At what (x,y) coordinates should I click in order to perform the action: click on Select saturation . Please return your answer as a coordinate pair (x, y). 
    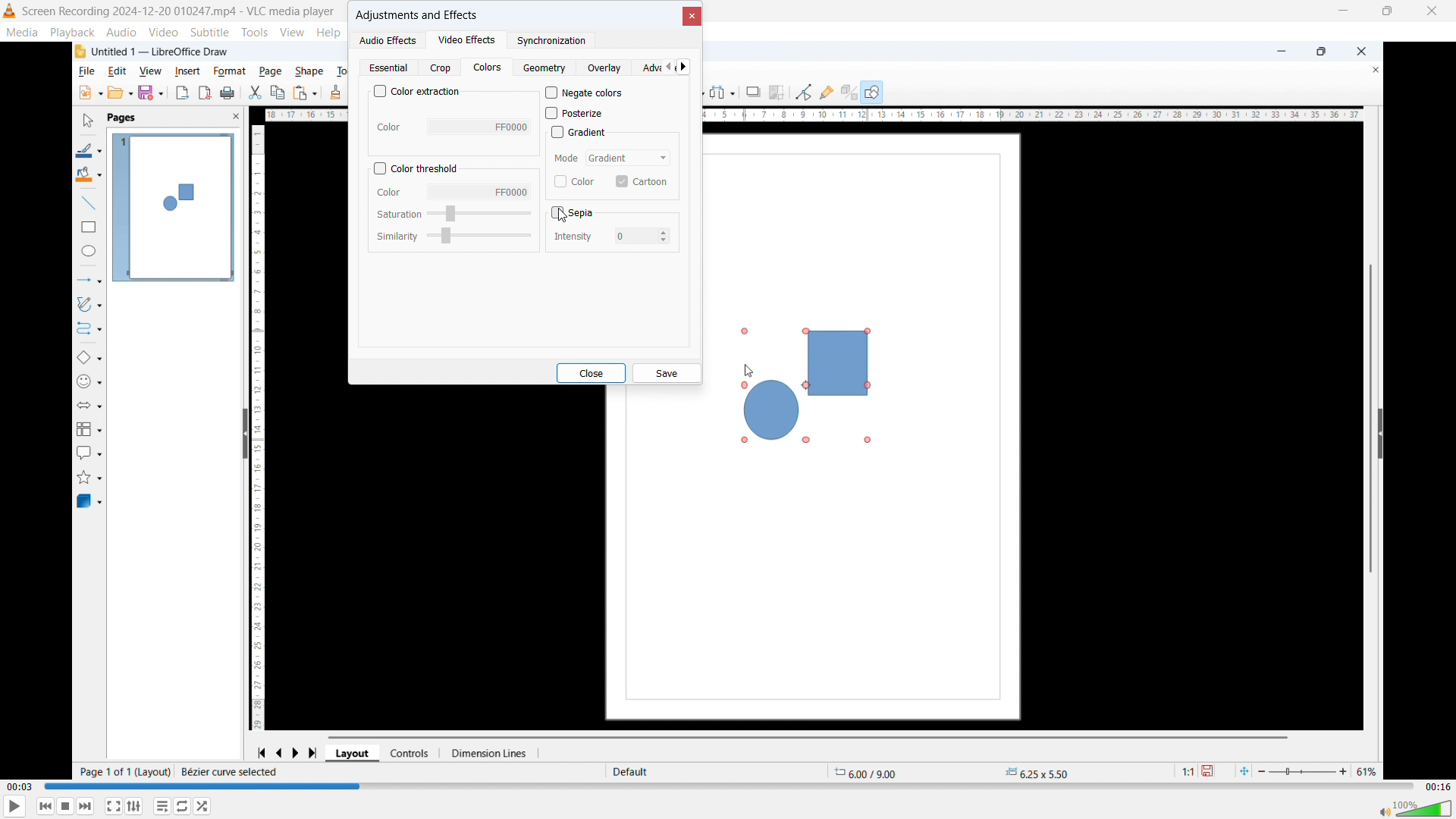
    Looking at the image, I should click on (480, 214).